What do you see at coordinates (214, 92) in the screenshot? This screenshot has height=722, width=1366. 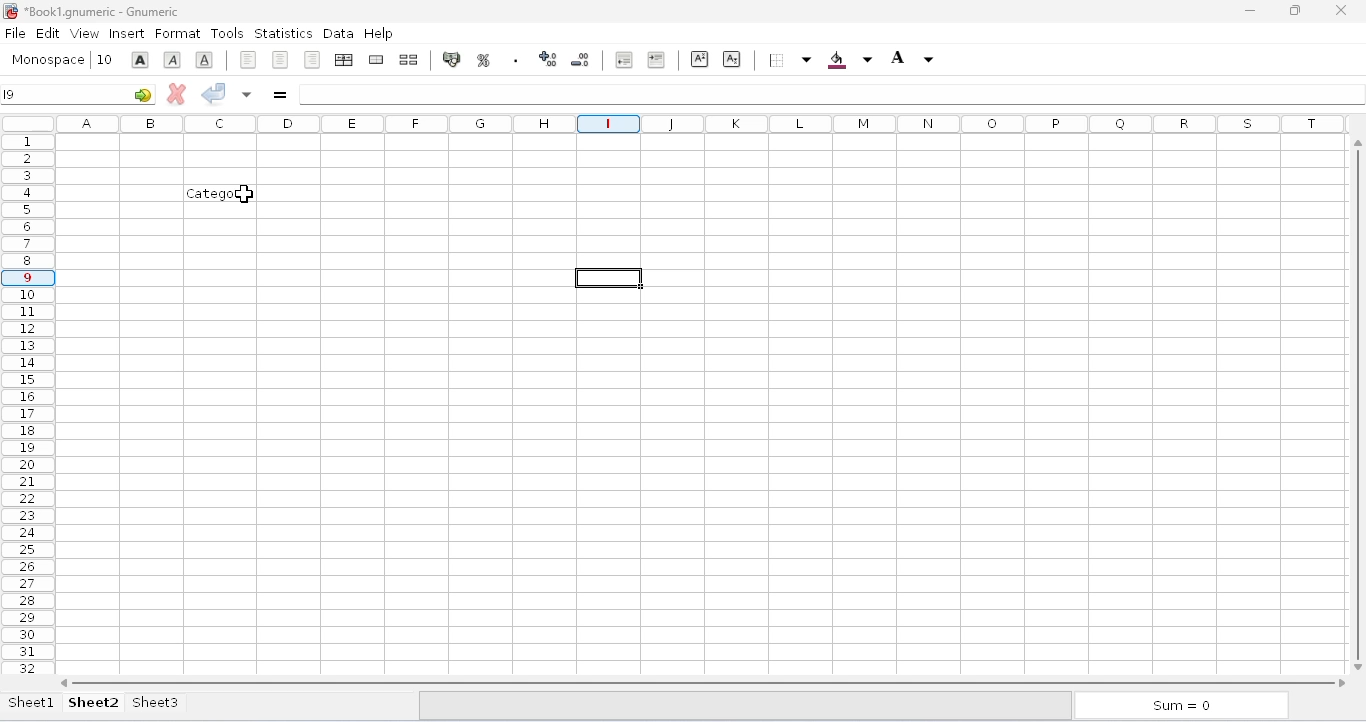 I see `accept change` at bounding box center [214, 92].